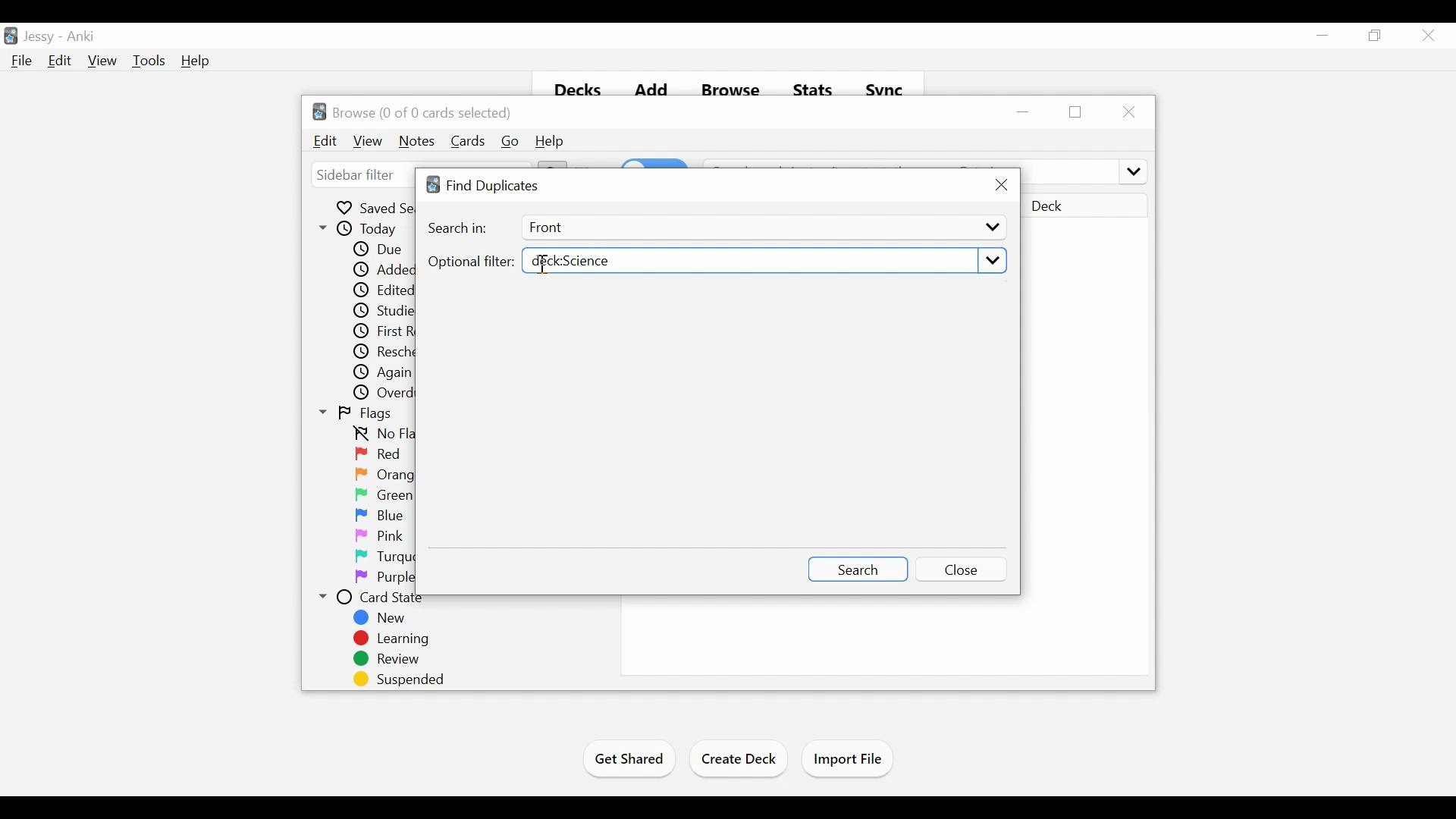 The height and width of the screenshot is (819, 1456). What do you see at coordinates (377, 598) in the screenshot?
I see `Card State` at bounding box center [377, 598].